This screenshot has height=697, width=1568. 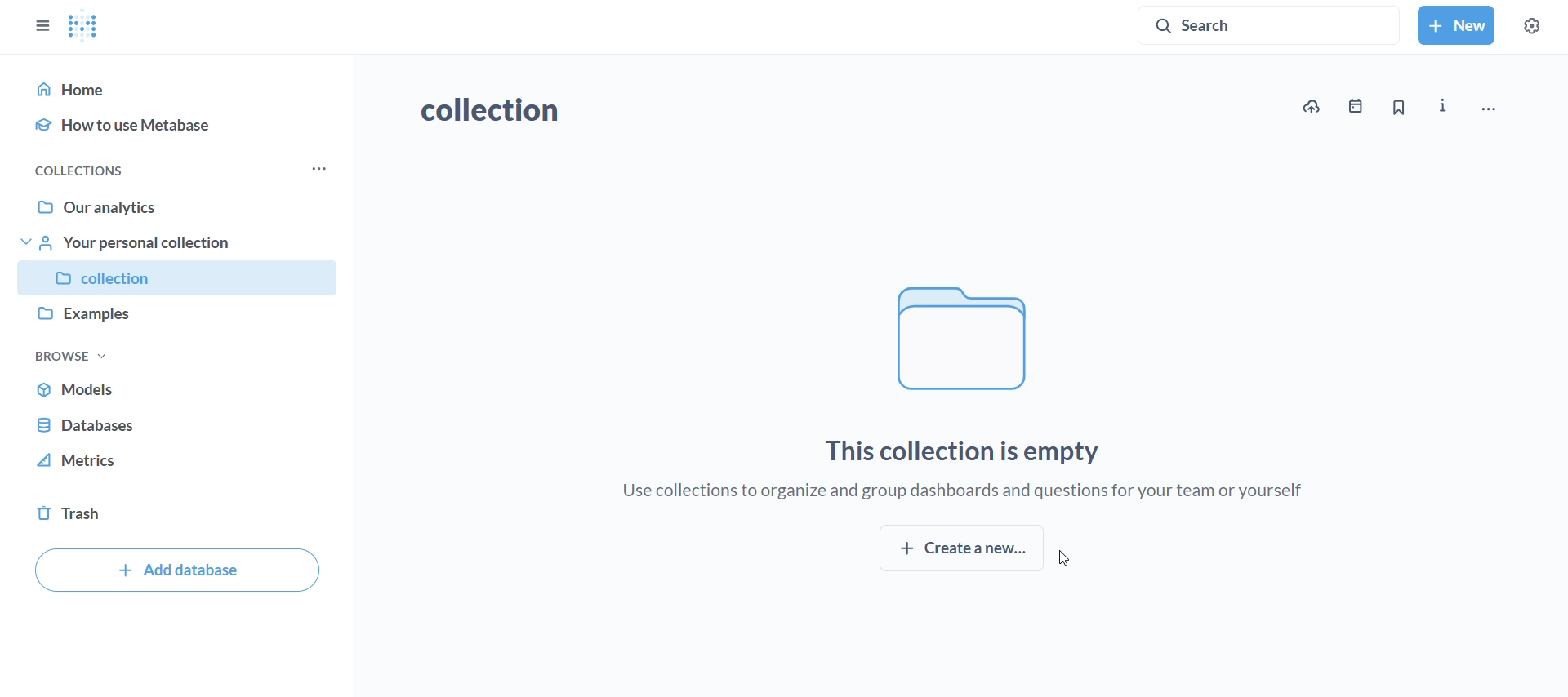 I want to click on home, so click(x=176, y=88).